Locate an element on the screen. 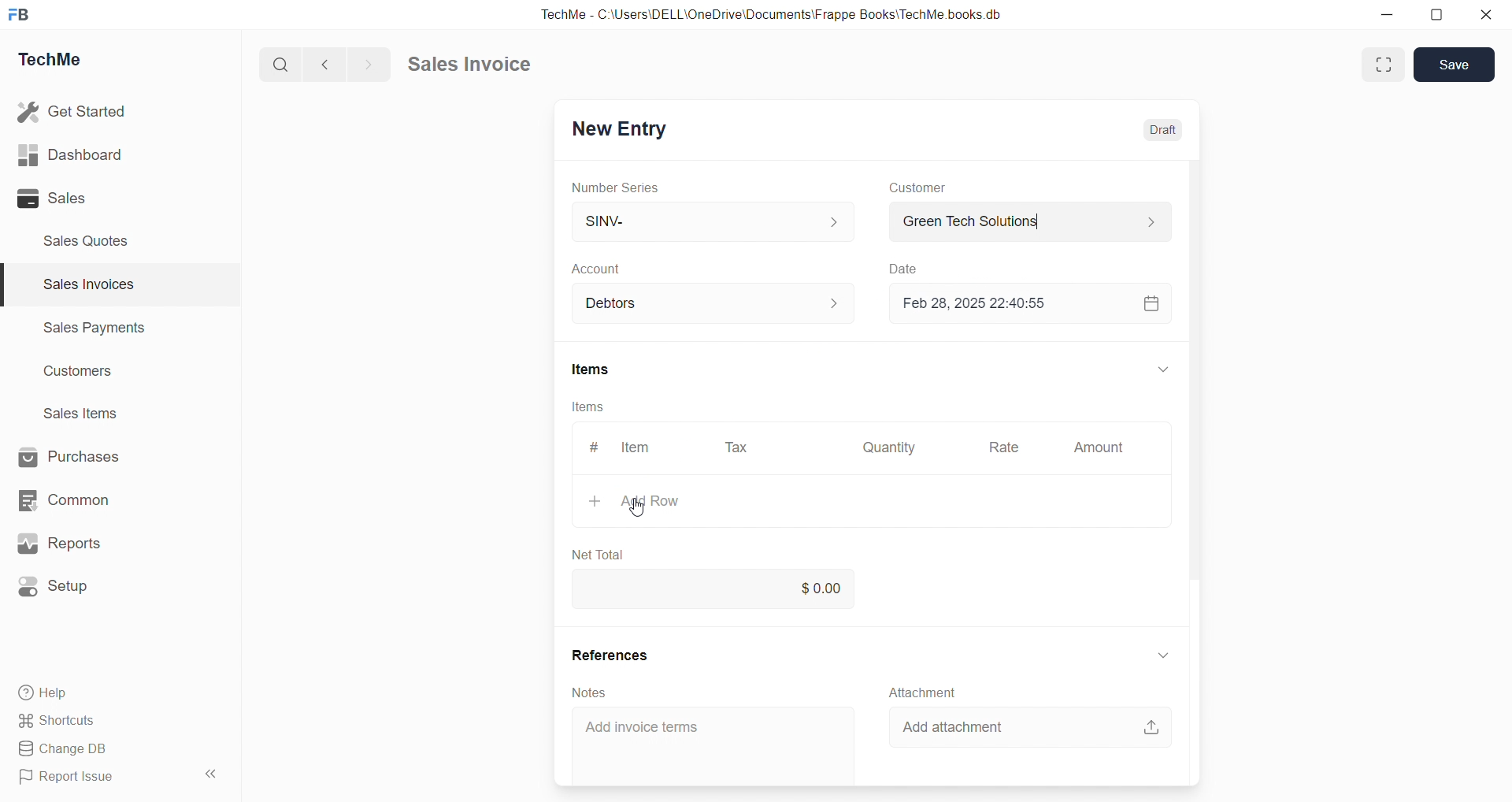 The width and height of the screenshot is (1512, 802). Setup is located at coordinates (55, 587).